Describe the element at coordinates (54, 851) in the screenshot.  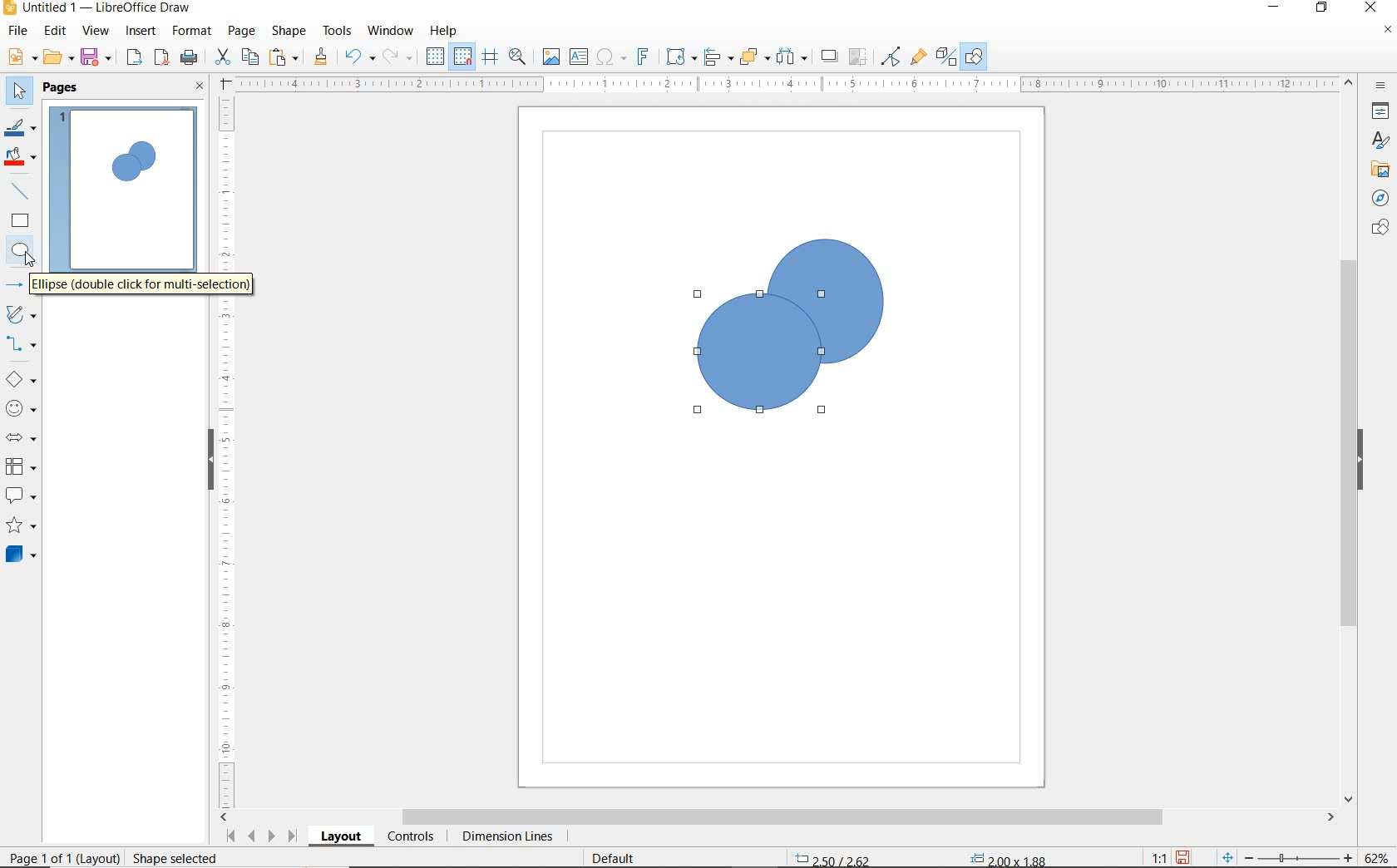
I see `PAGE 1 O 1` at that location.